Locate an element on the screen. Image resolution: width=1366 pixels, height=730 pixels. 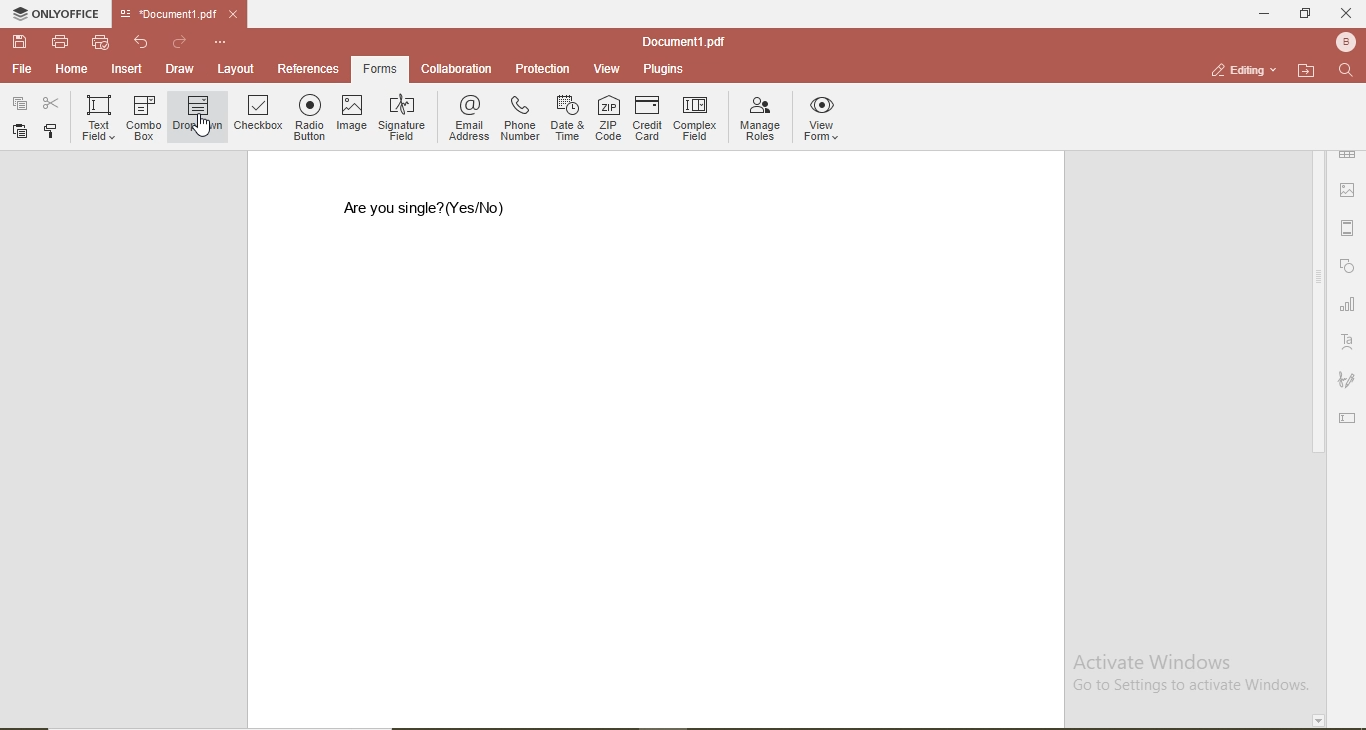
onlyoffice is located at coordinates (59, 13).